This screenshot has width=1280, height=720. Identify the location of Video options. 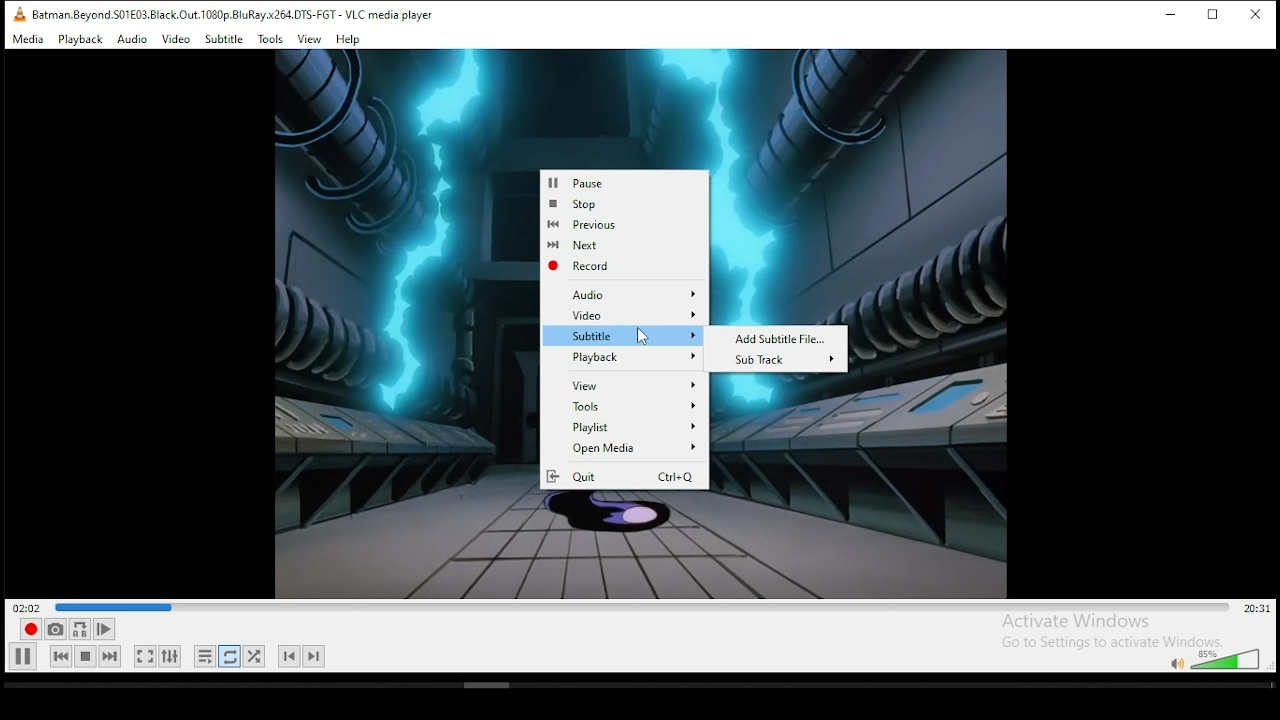
(625, 315).